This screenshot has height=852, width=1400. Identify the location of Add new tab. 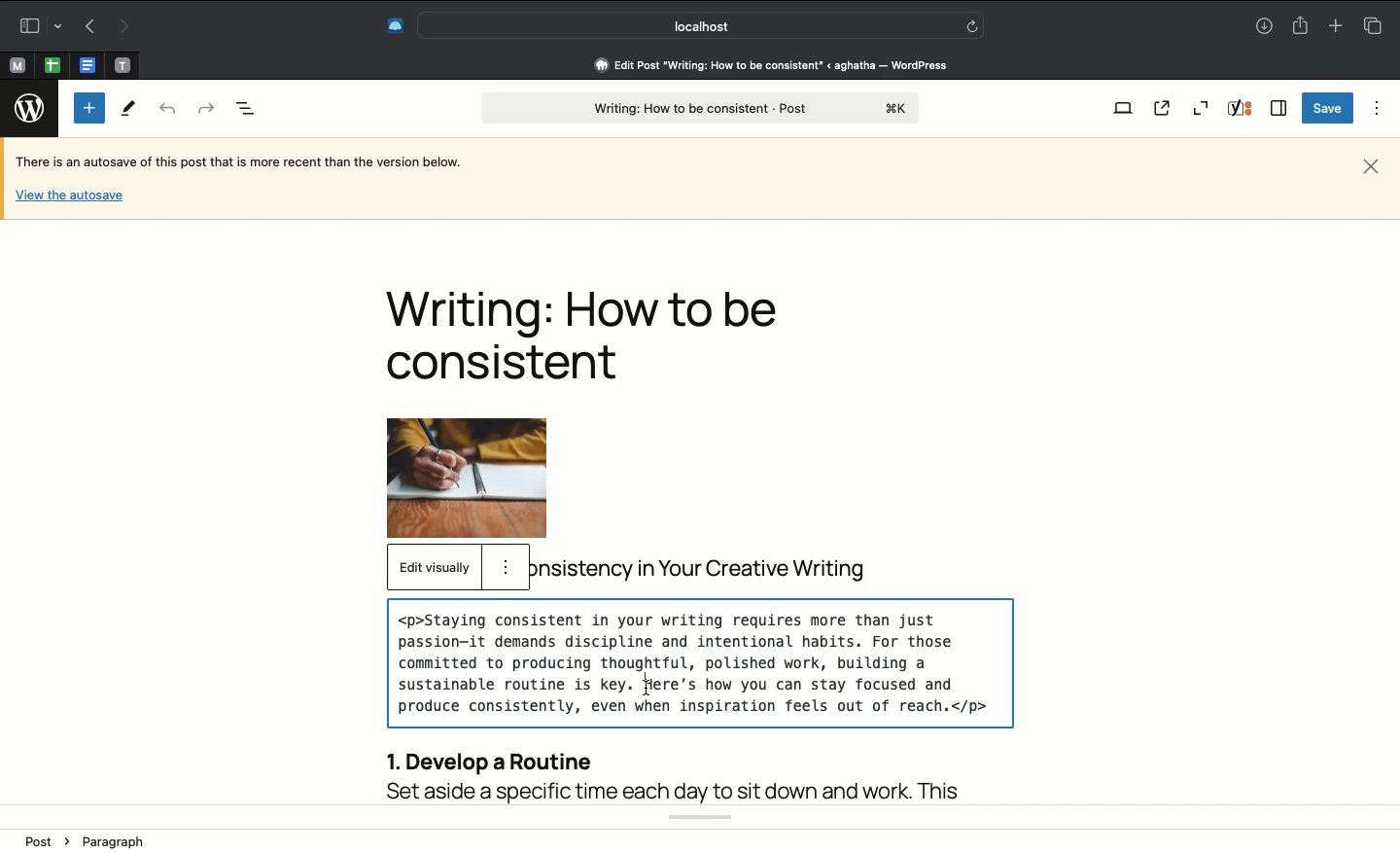
(1334, 25).